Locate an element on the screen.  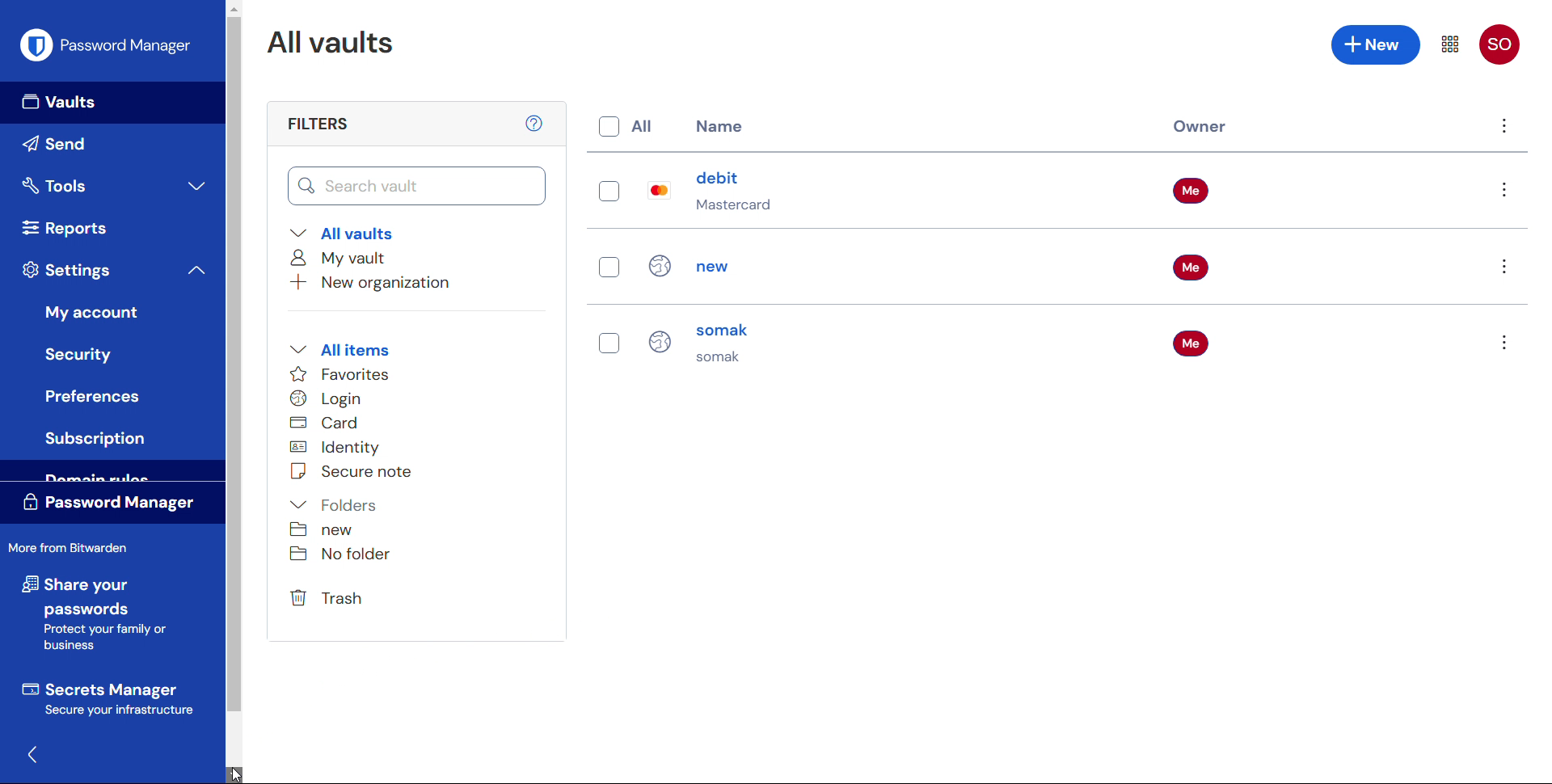
Options  is located at coordinates (1505, 125).